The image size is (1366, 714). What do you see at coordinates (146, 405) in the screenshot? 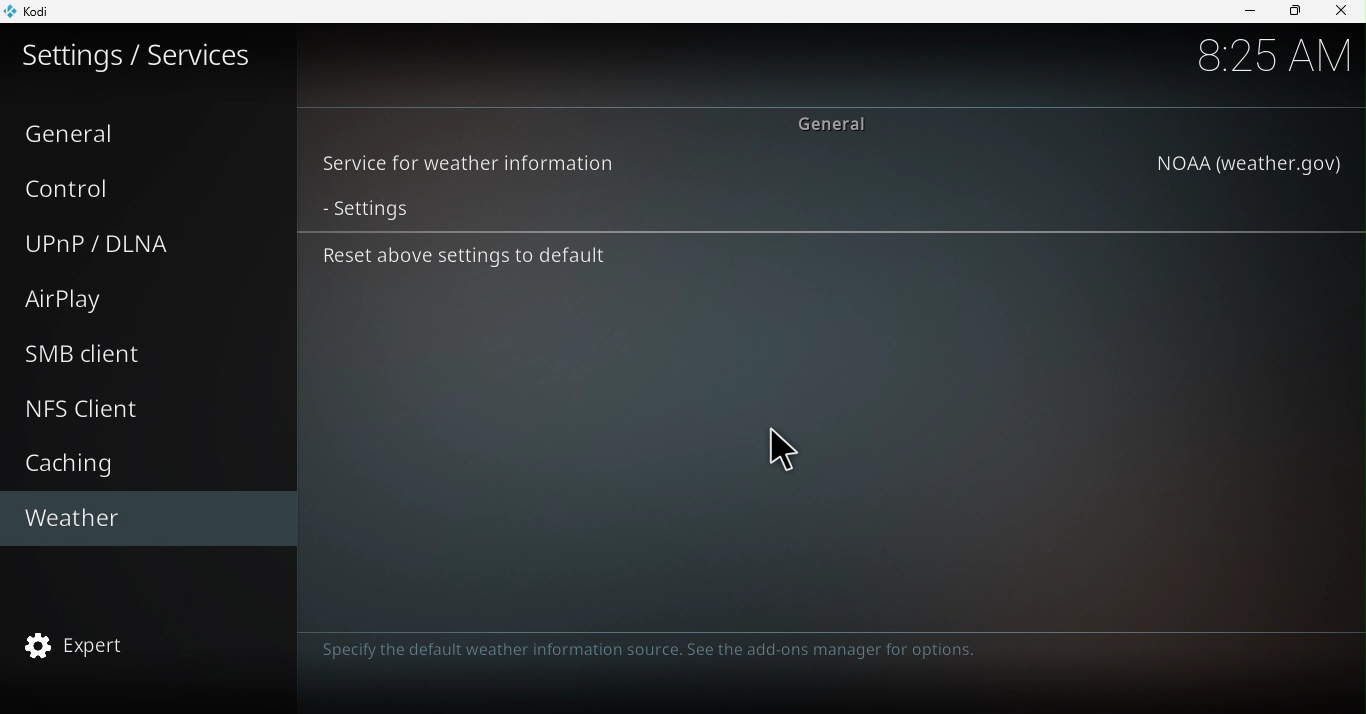
I see `NFS client` at bounding box center [146, 405].